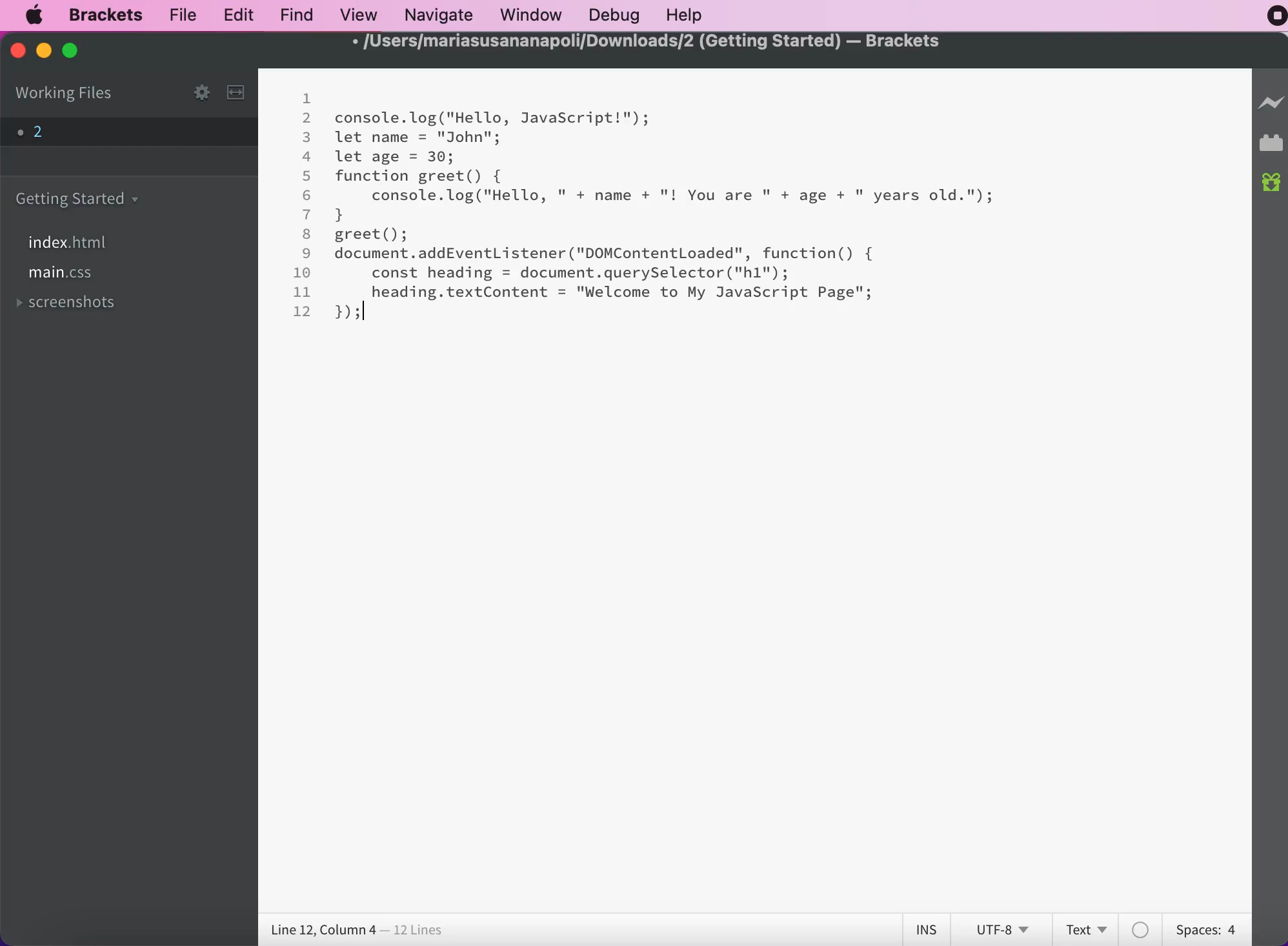 This screenshot has height=946, width=1288. Describe the element at coordinates (1271, 103) in the screenshot. I see `live preview` at that location.